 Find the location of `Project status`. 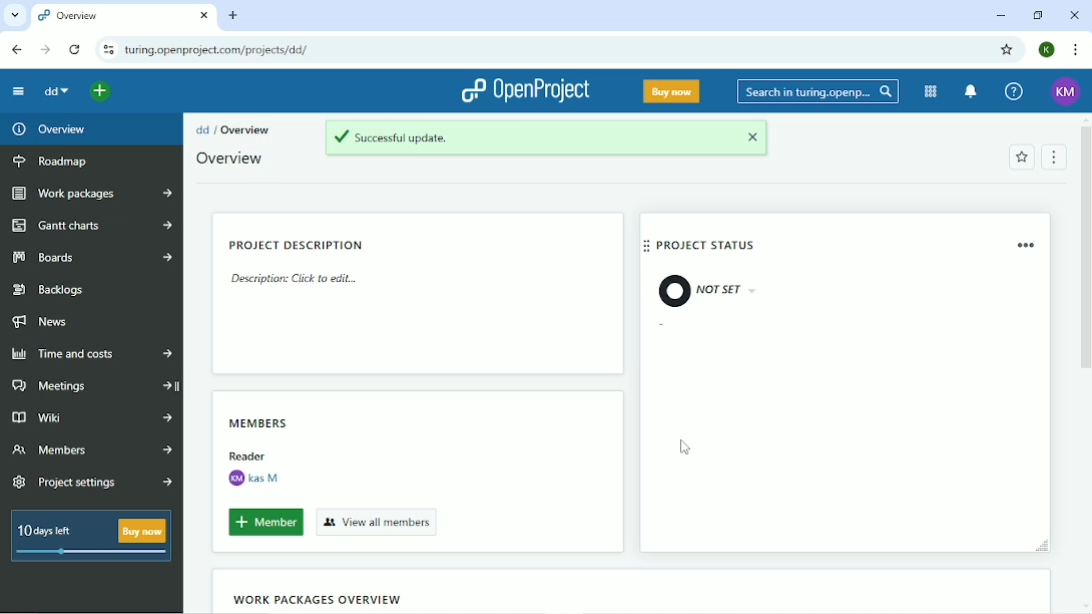

Project status is located at coordinates (708, 246).